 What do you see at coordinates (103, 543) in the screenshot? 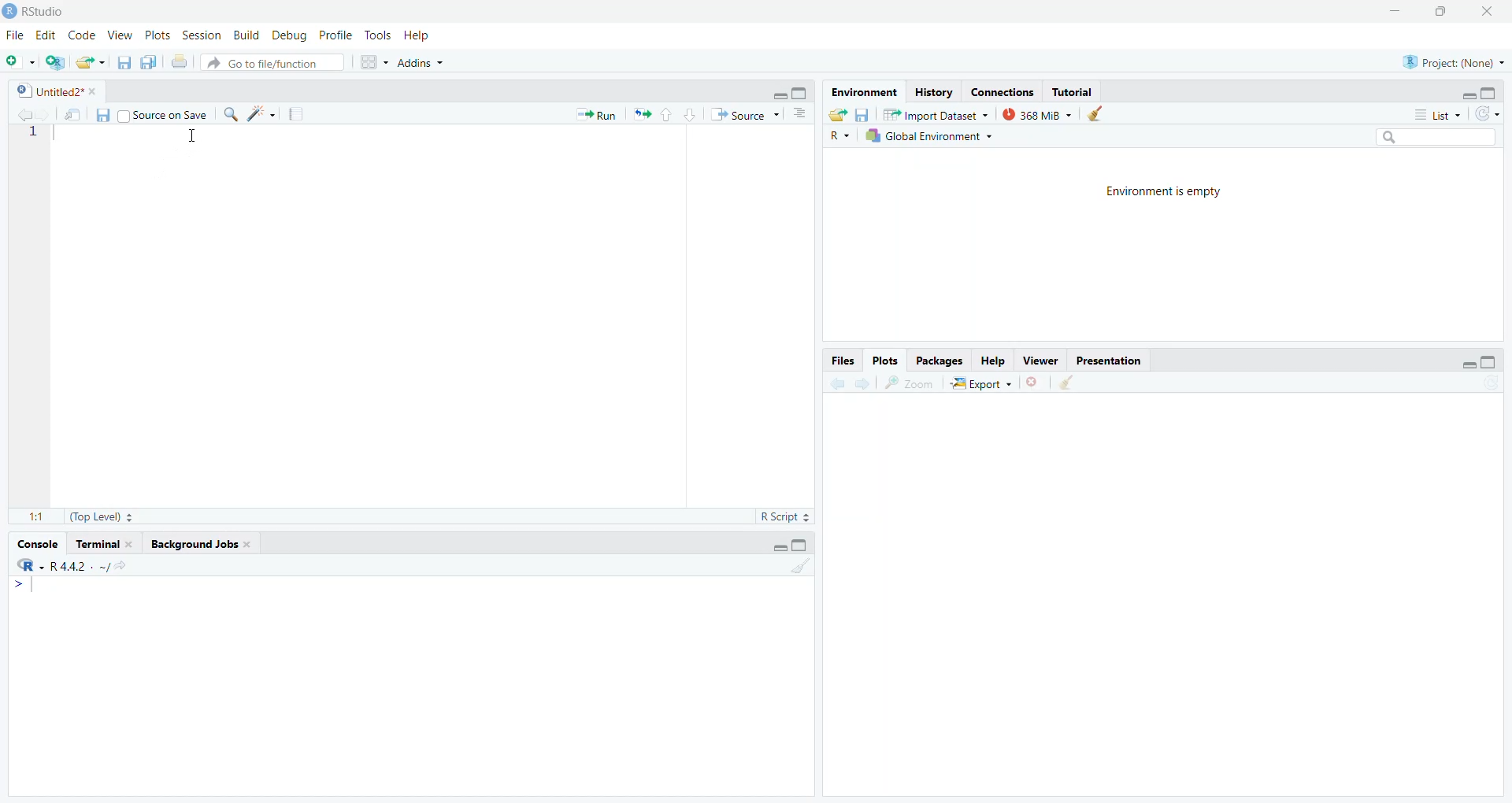
I see `Terminal` at bounding box center [103, 543].